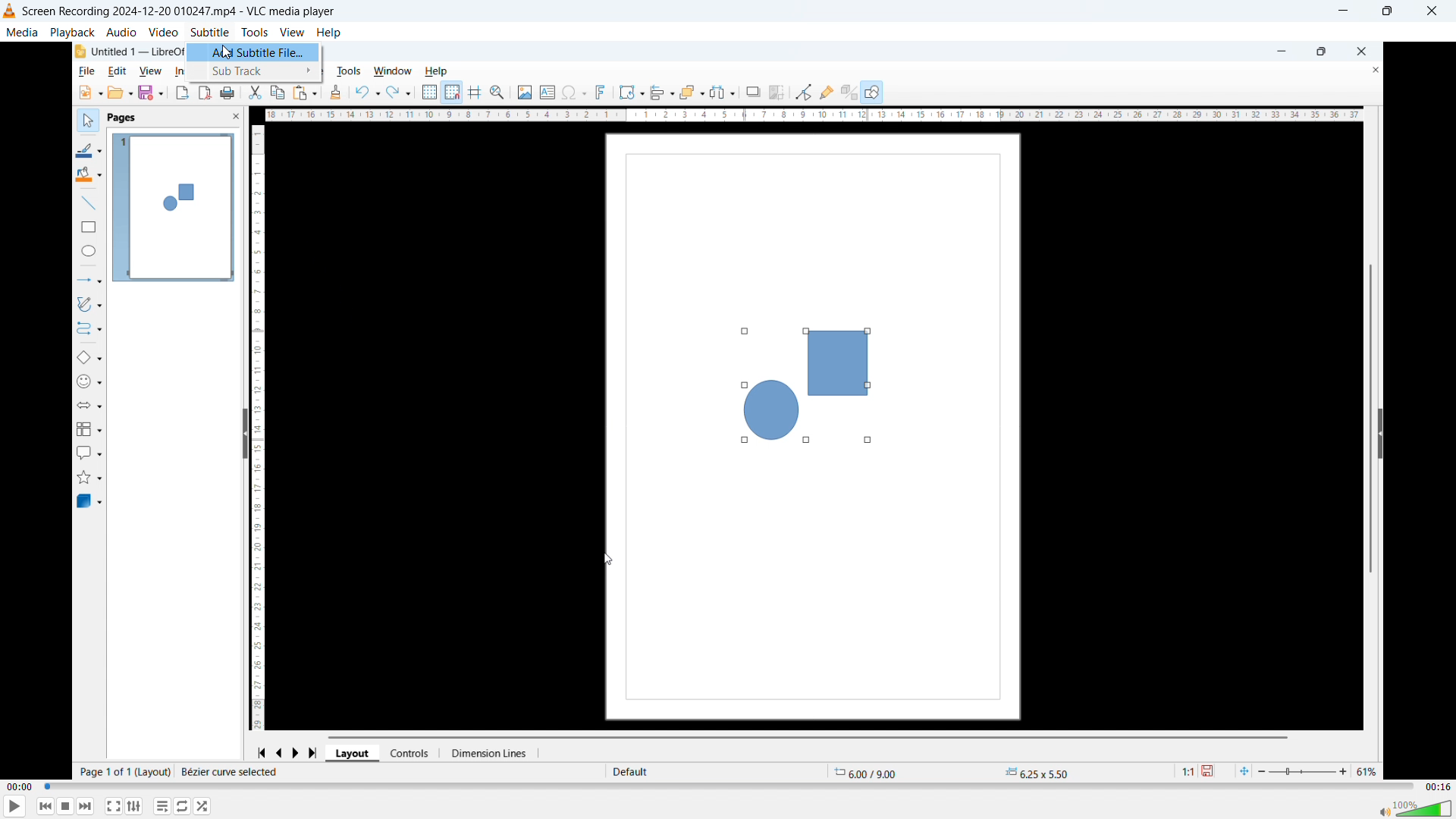 This screenshot has width=1456, height=819. What do you see at coordinates (317, 751) in the screenshot?
I see `last page` at bounding box center [317, 751].